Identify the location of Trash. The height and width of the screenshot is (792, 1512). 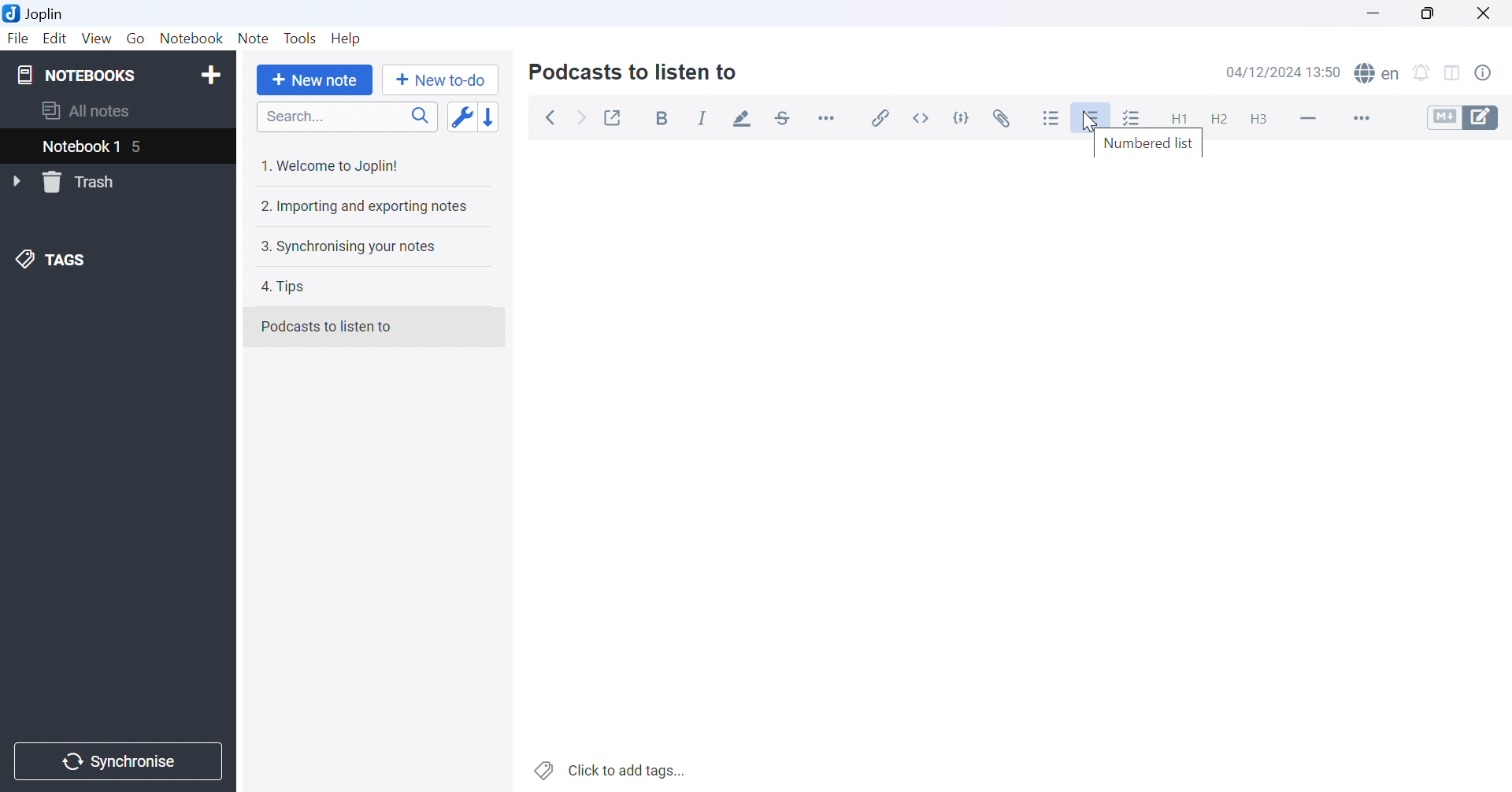
(88, 182).